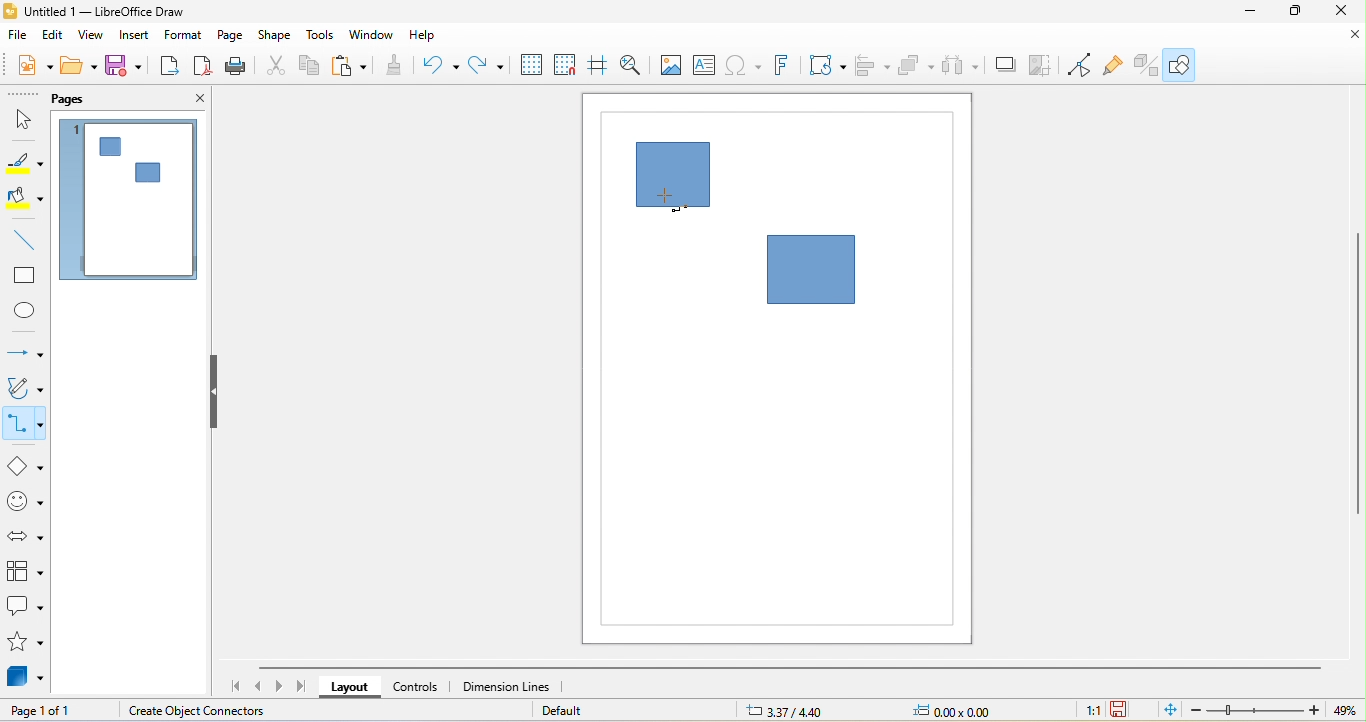 The width and height of the screenshot is (1366, 722). What do you see at coordinates (1167, 712) in the screenshot?
I see `fit page to current window` at bounding box center [1167, 712].